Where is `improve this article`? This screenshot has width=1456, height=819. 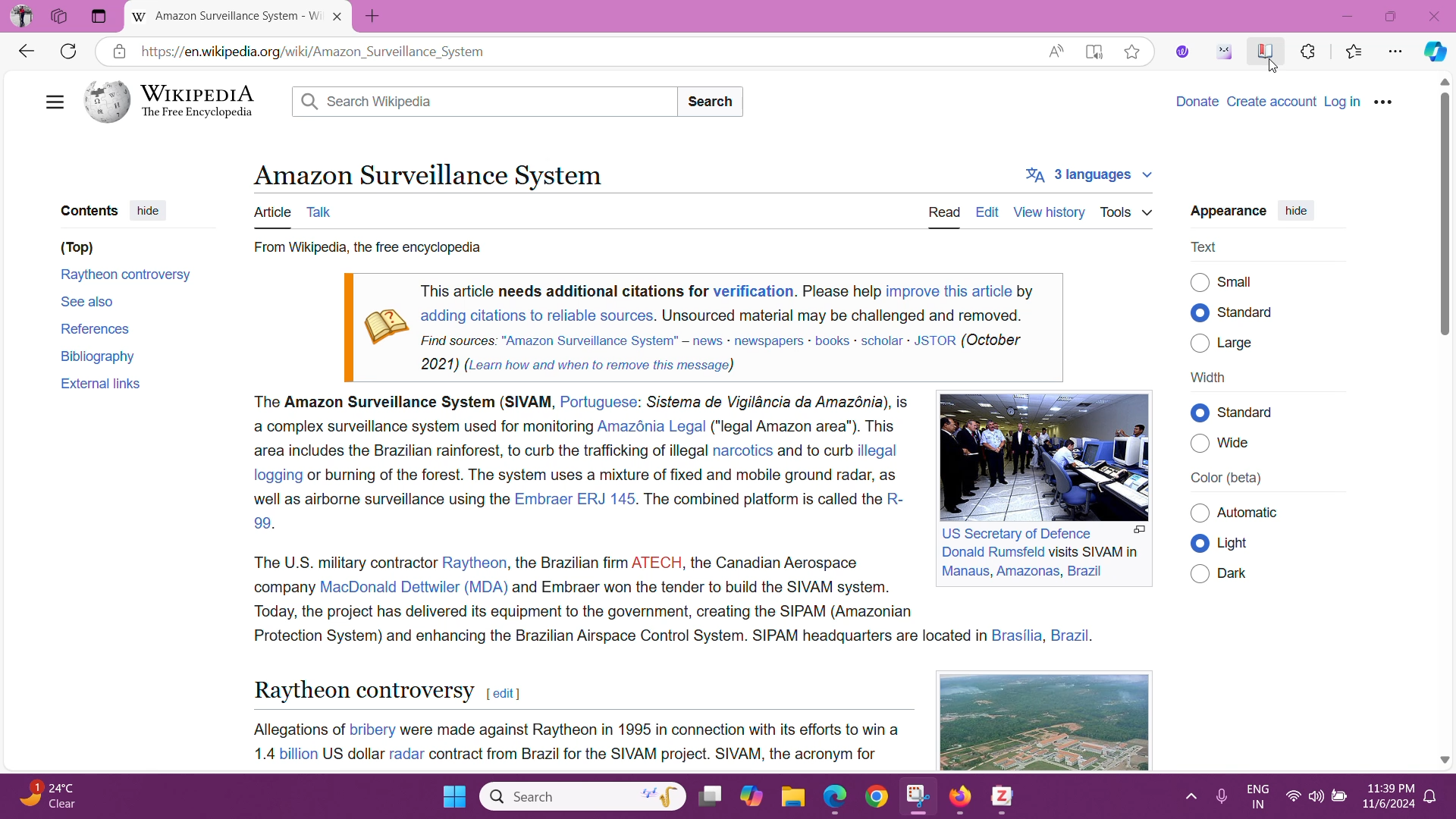 improve this article is located at coordinates (949, 290).